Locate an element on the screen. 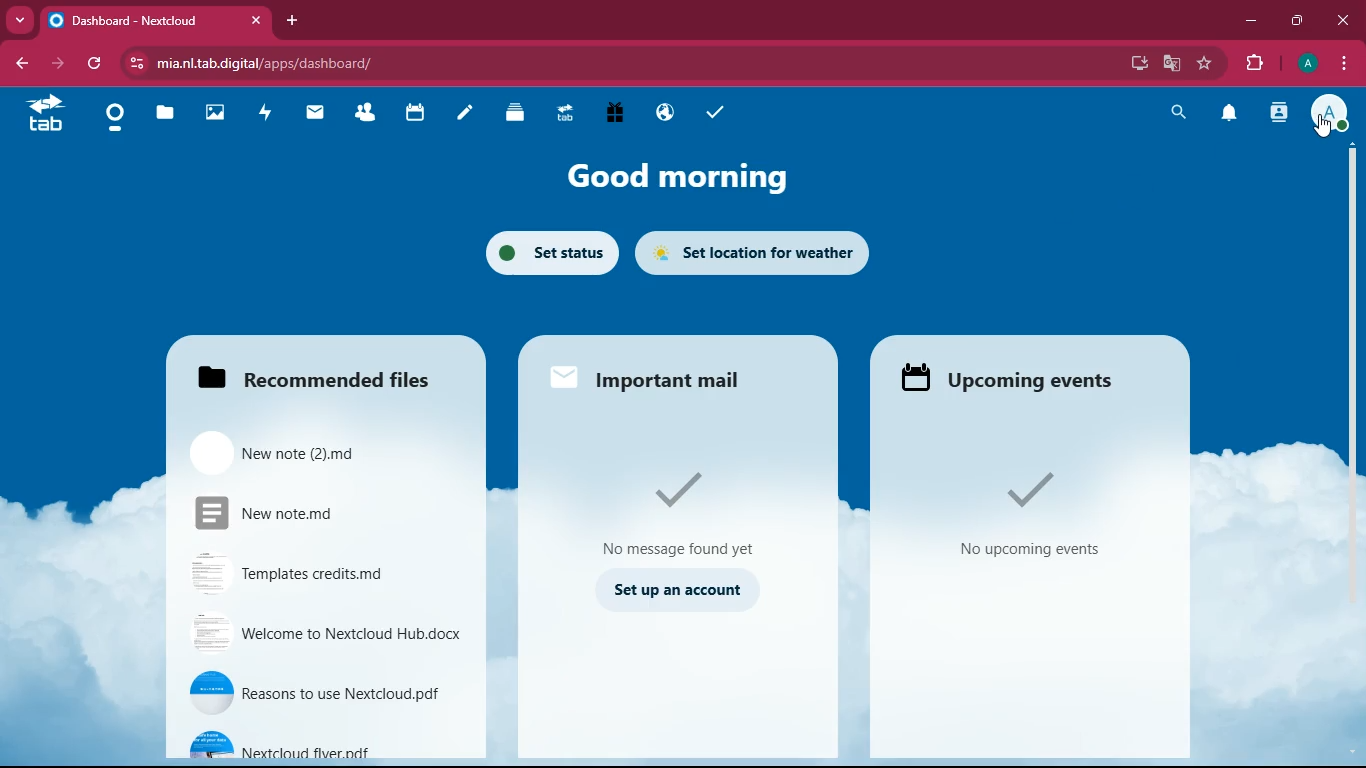 Image resolution: width=1366 pixels, height=768 pixels. Dashboard is located at coordinates (119, 119).